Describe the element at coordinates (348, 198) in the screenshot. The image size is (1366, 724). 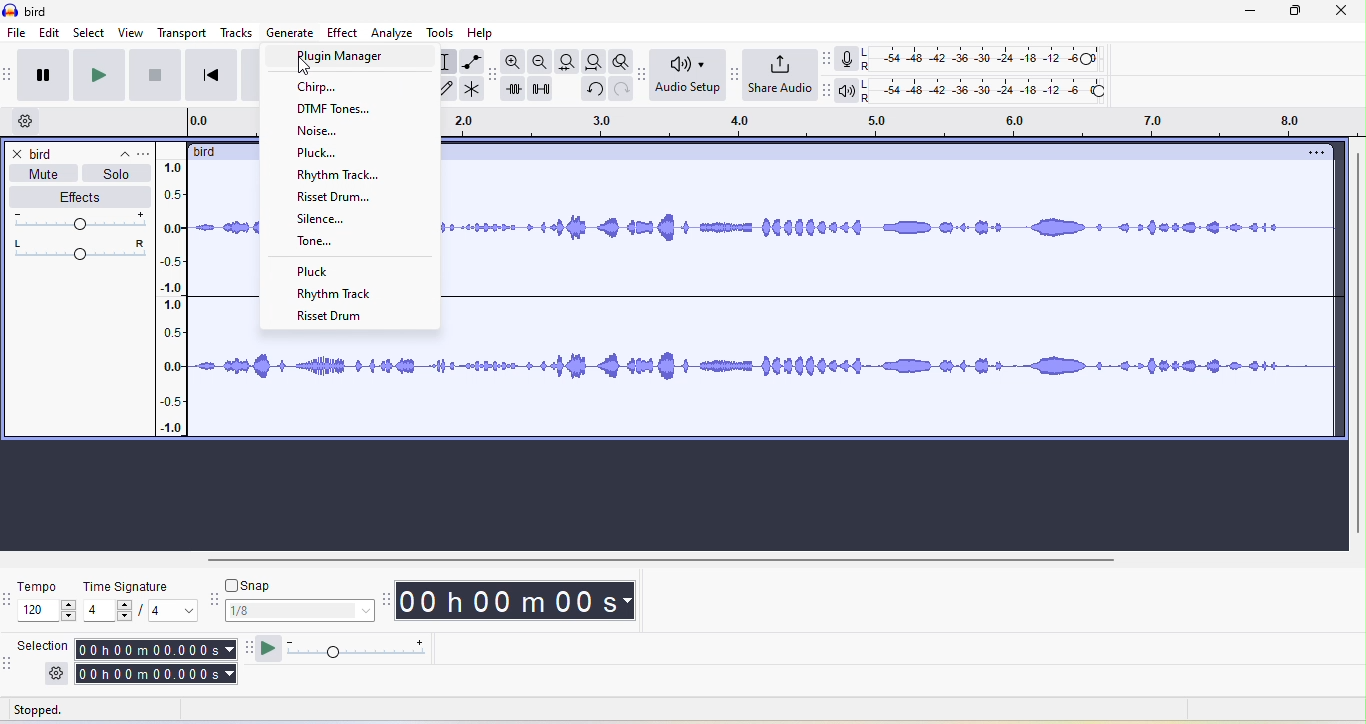
I see `risset drum` at that location.